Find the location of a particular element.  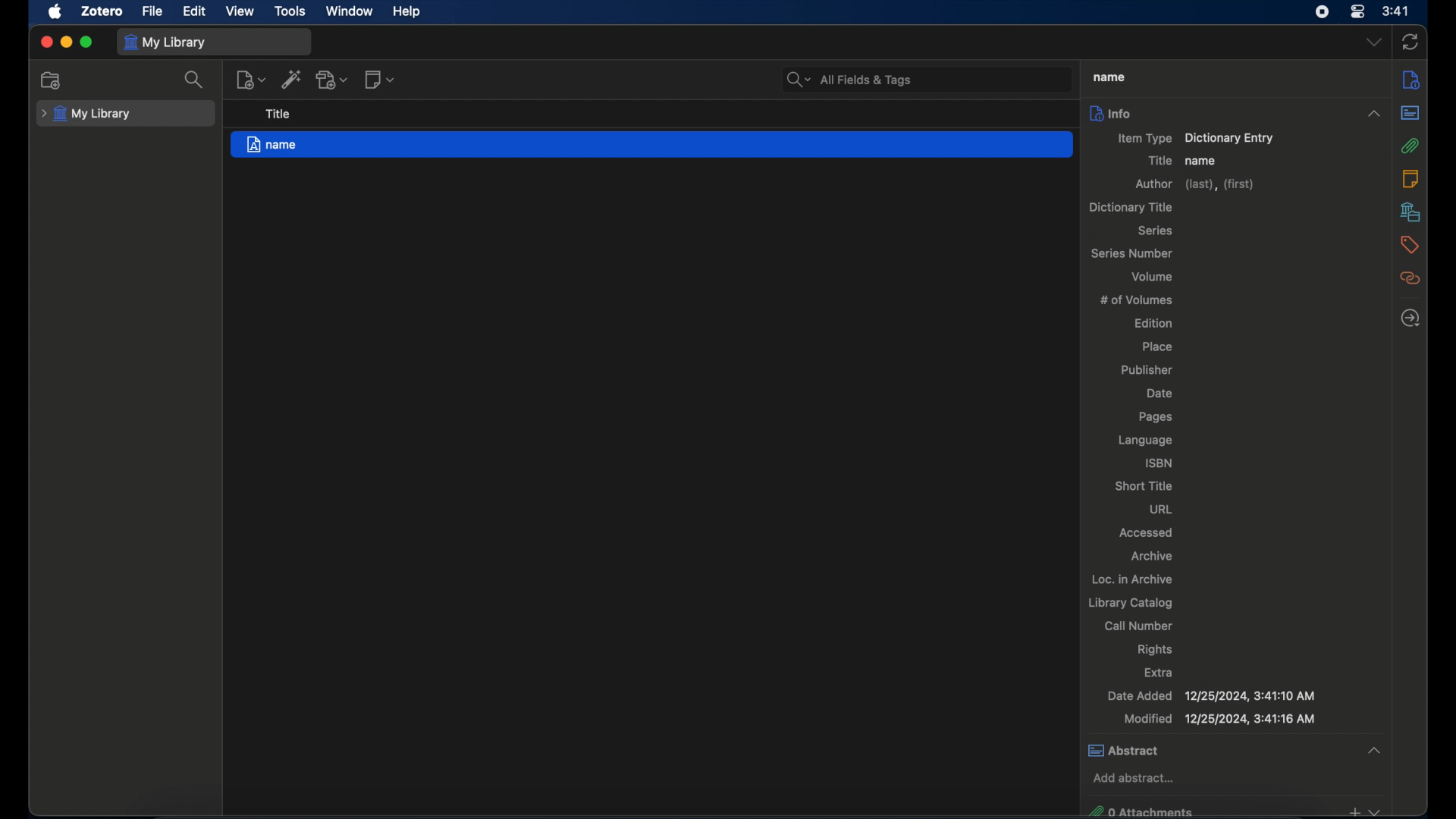

item type is located at coordinates (1197, 139).